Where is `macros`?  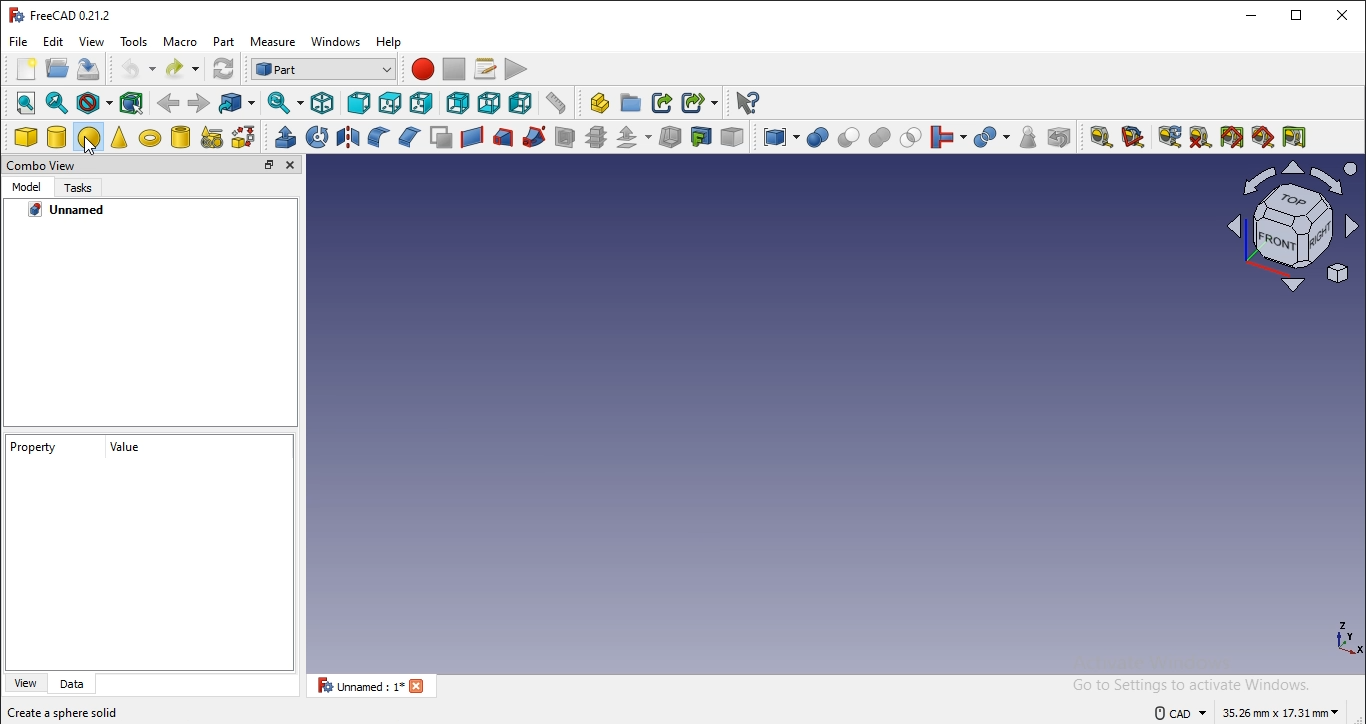 macros is located at coordinates (486, 69).